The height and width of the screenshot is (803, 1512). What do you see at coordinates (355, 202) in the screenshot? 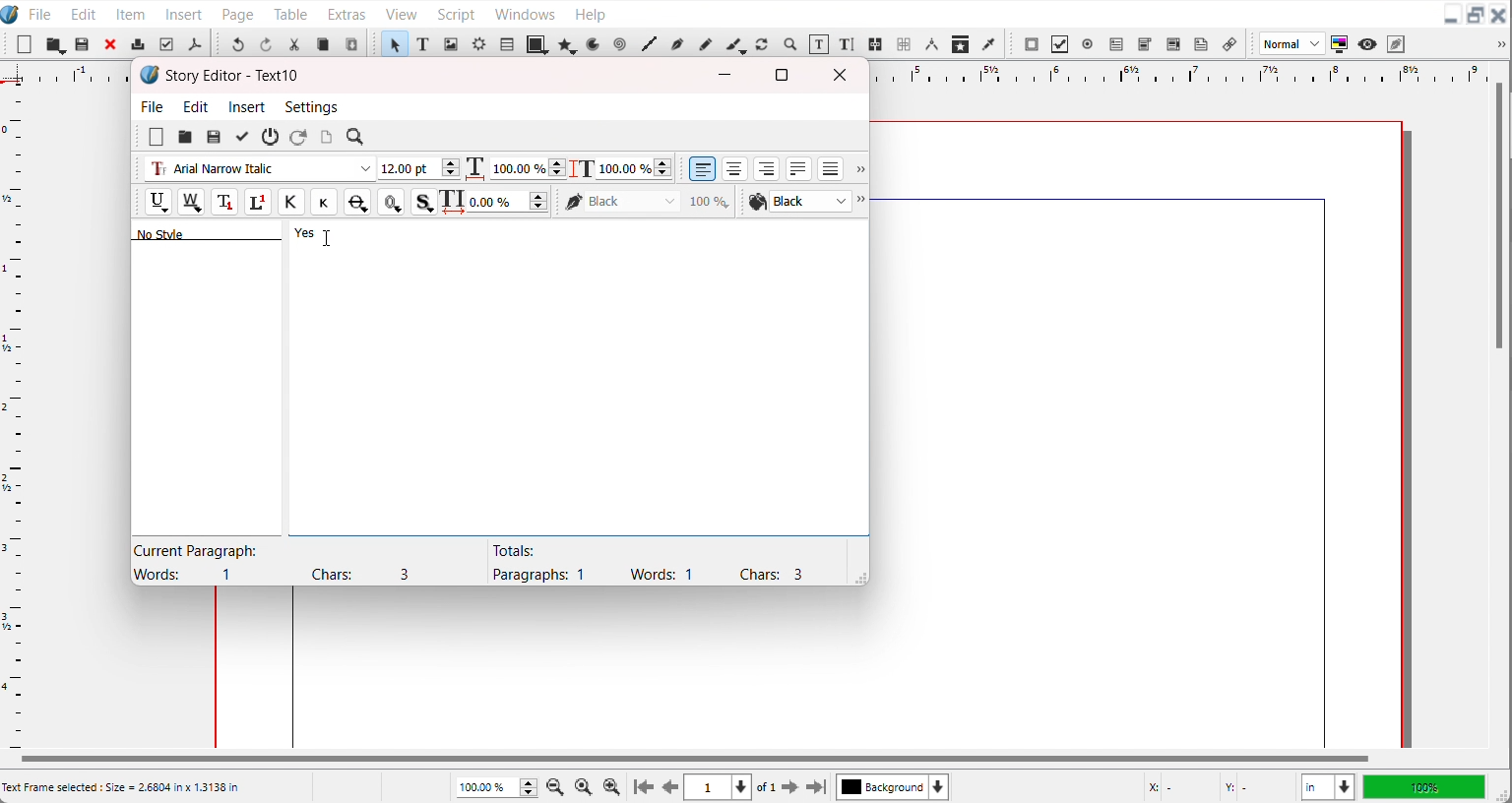
I see `Strike out` at bounding box center [355, 202].